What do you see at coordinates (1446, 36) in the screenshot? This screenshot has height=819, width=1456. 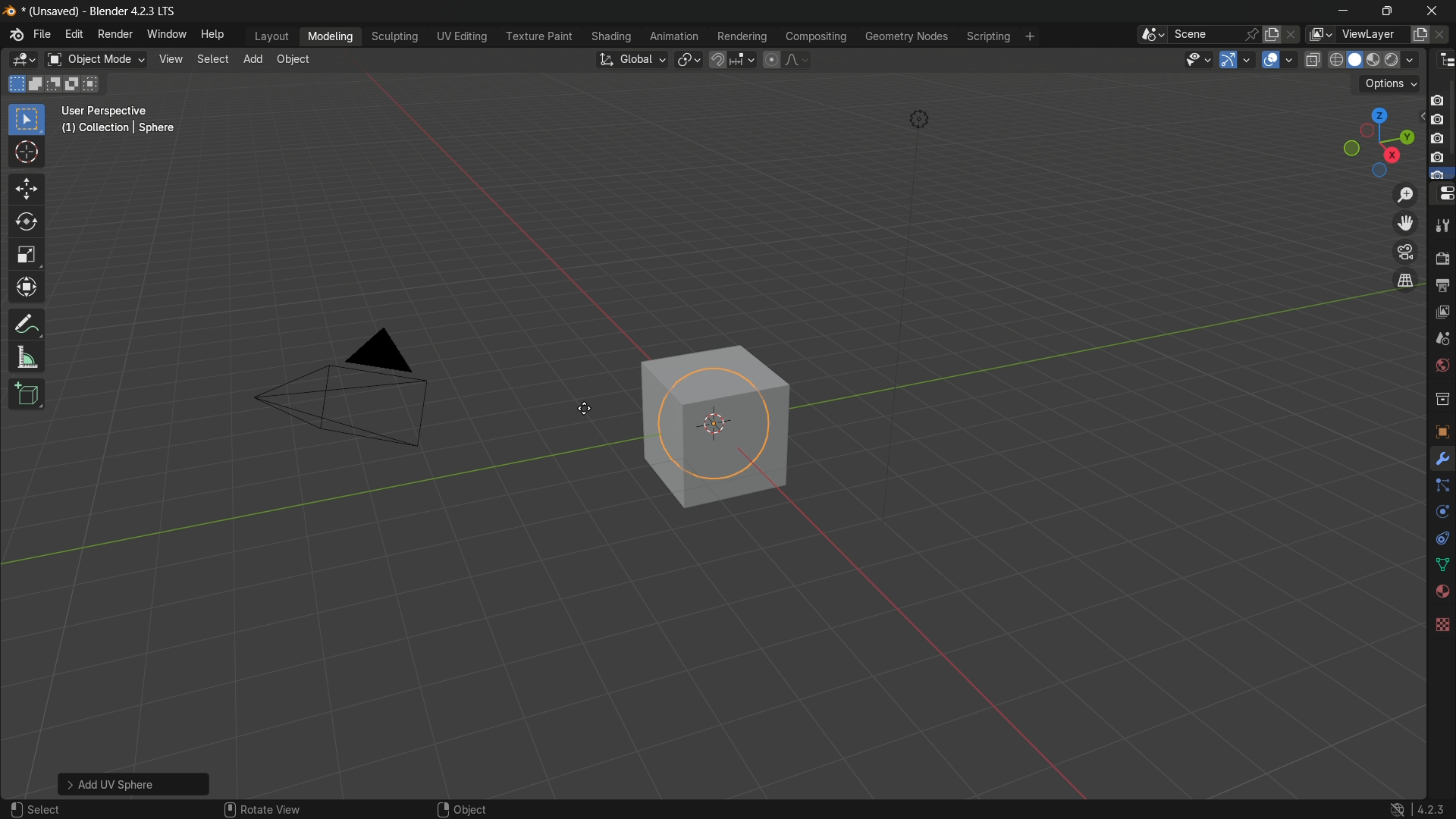 I see `remove layer` at bounding box center [1446, 36].